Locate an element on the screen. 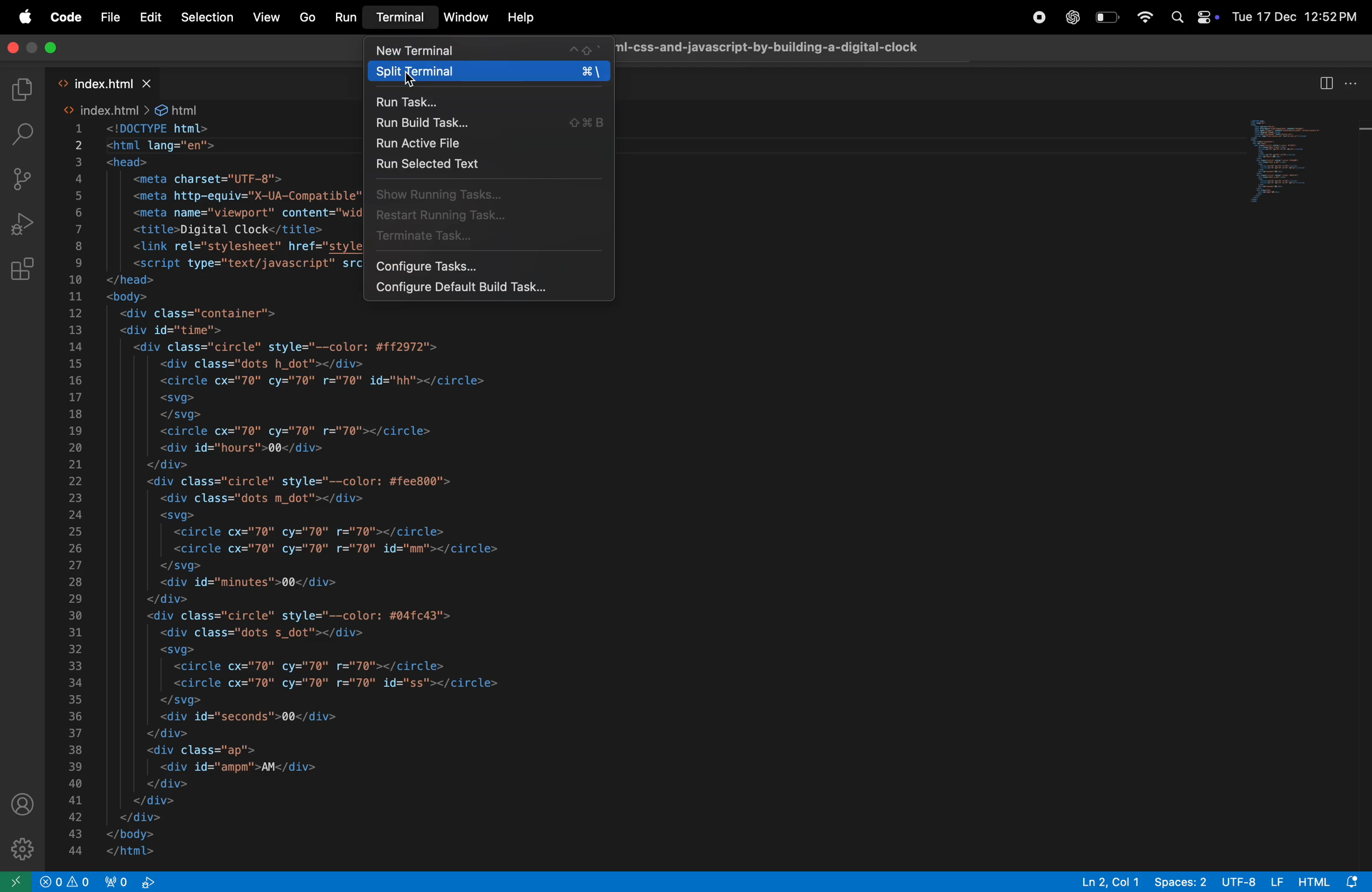 The width and height of the screenshot is (1372, 892). configure default build tasks is located at coordinates (489, 290).